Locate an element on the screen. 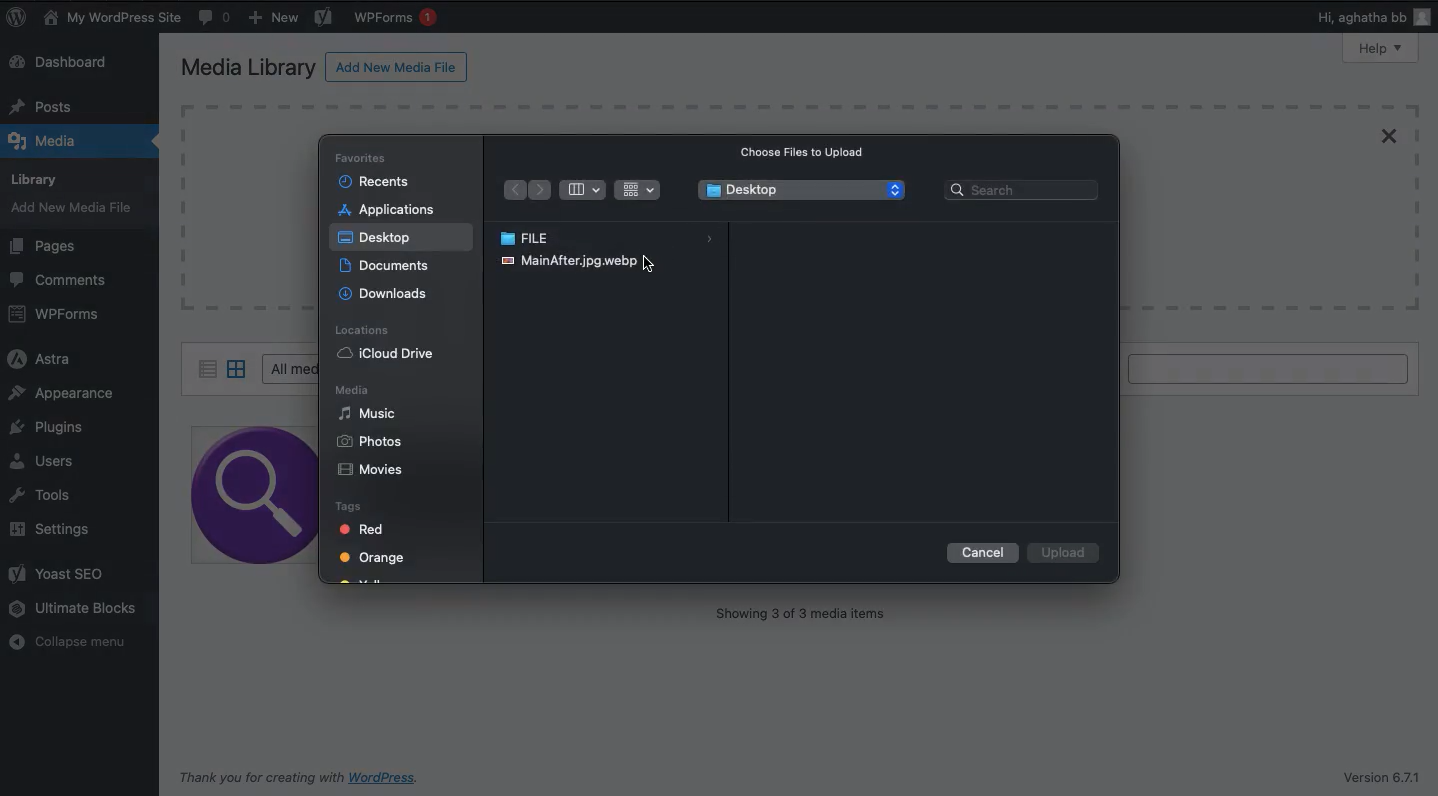 This screenshot has width=1438, height=796. Yoast SEO is located at coordinates (60, 572).